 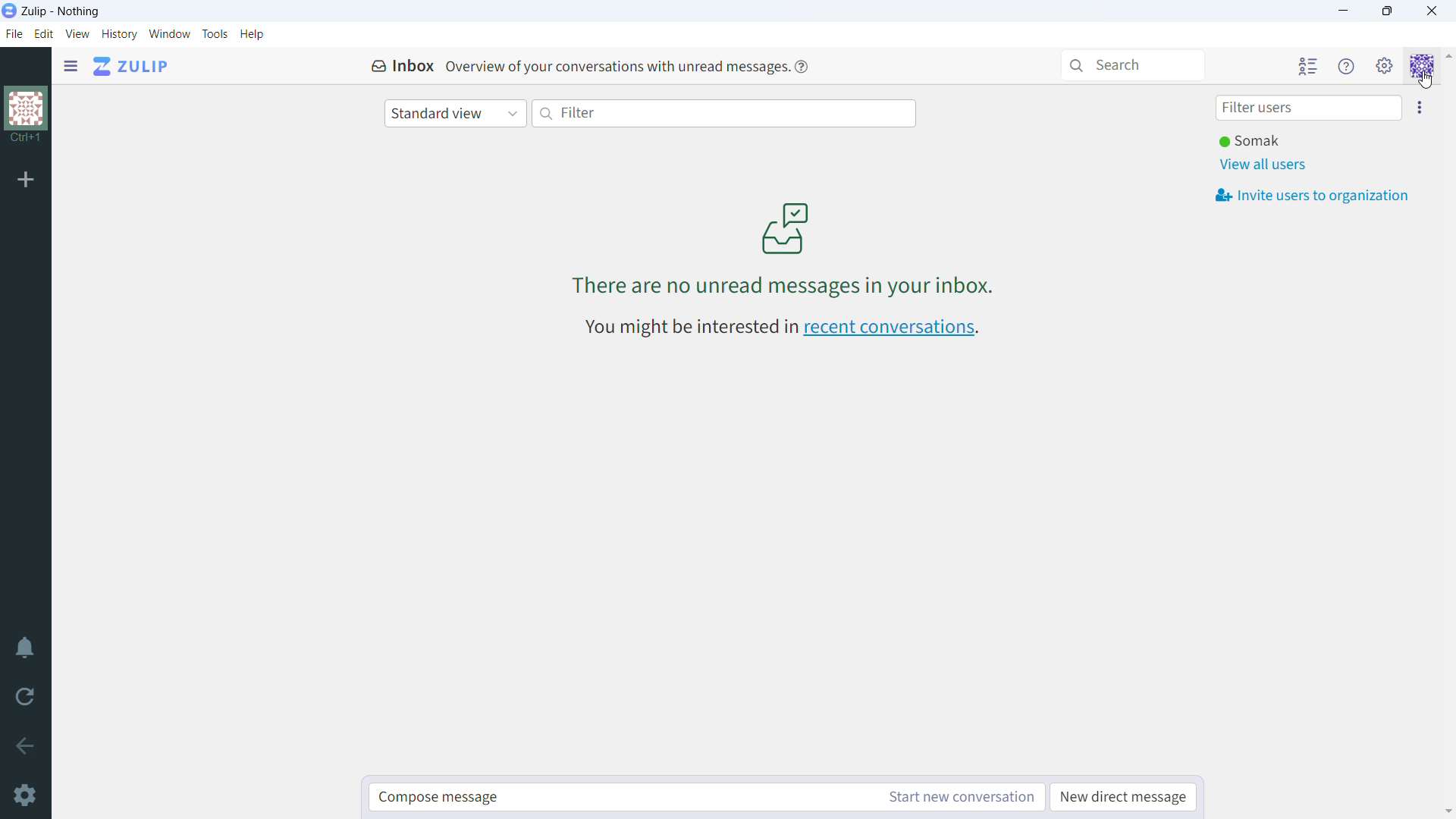 What do you see at coordinates (1133, 65) in the screenshot?
I see `search` at bounding box center [1133, 65].